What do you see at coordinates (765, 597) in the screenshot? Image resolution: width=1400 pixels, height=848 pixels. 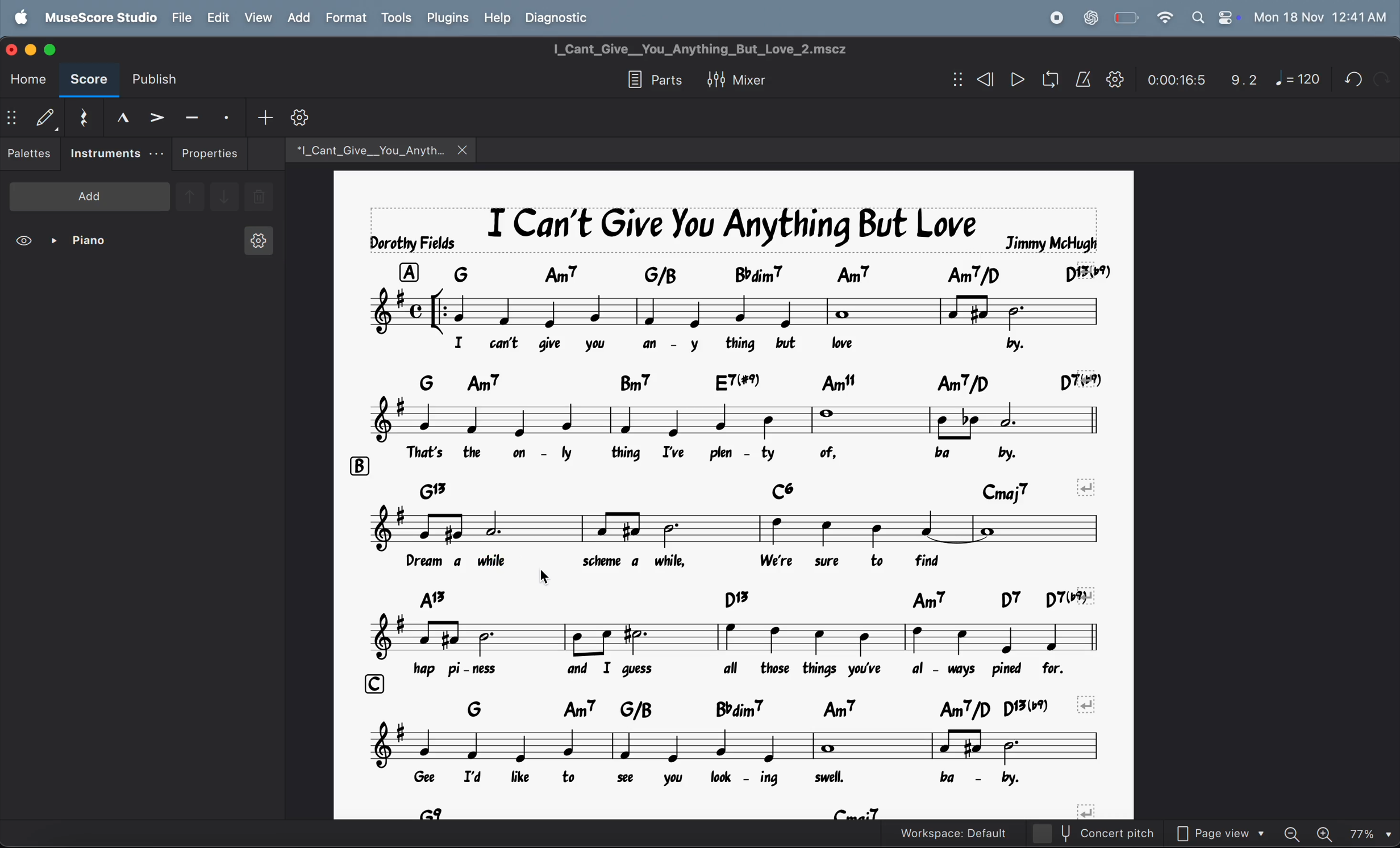 I see `chord symbols` at bounding box center [765, 597].